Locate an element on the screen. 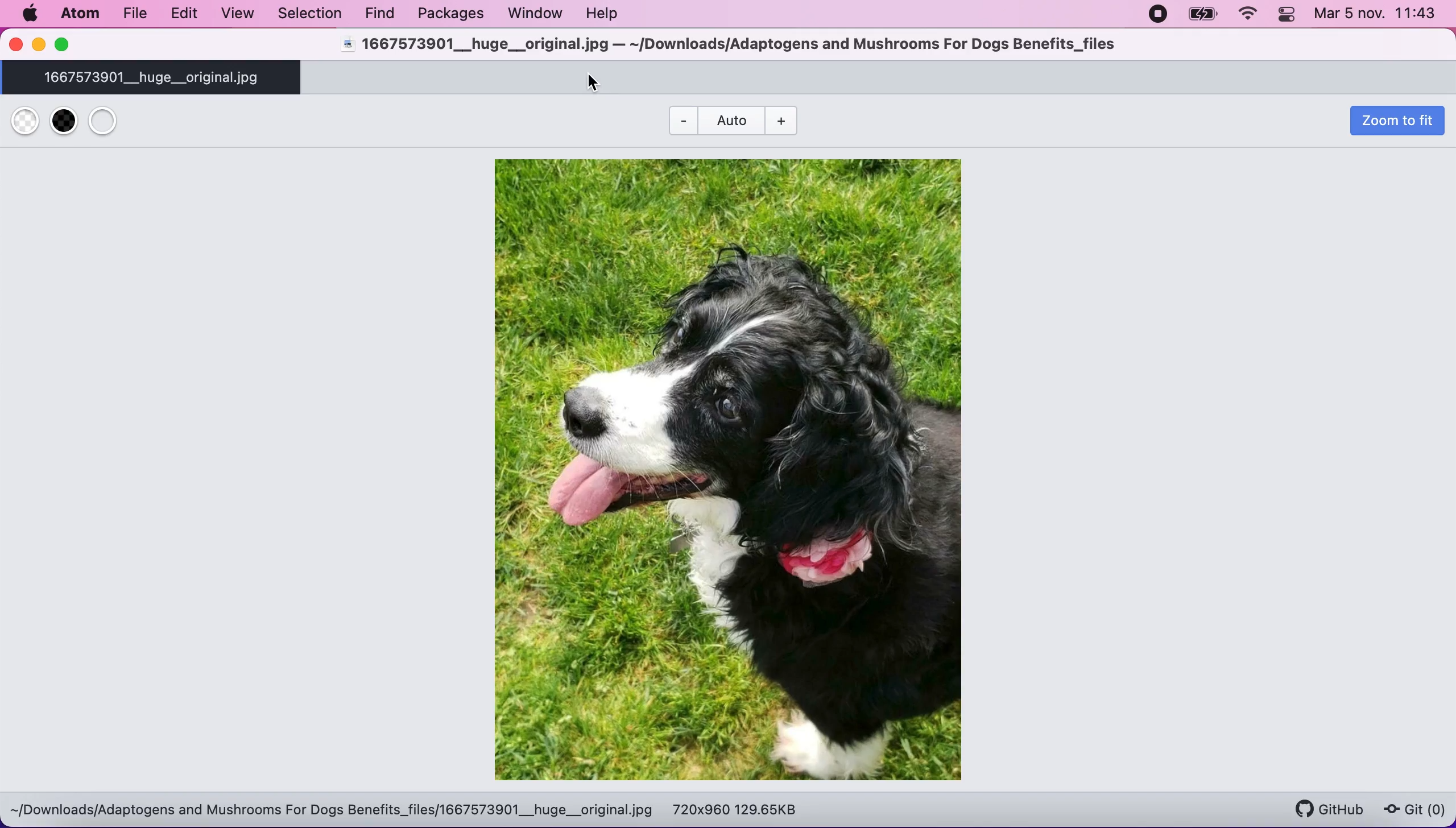 The image size is (1456, 828). 720x960 129.65KB is located at coordinates (738, 809).